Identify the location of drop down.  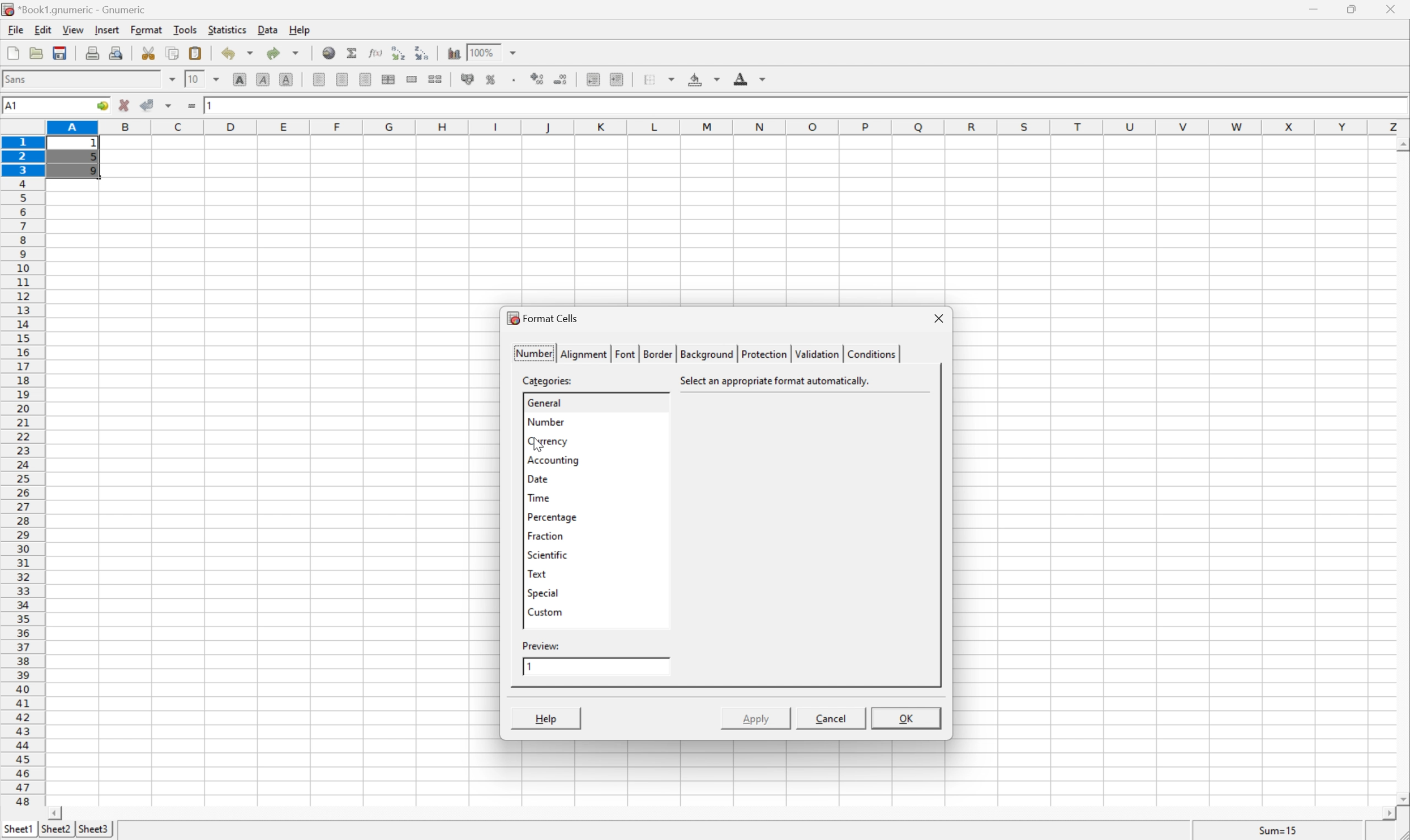
(220, 79).